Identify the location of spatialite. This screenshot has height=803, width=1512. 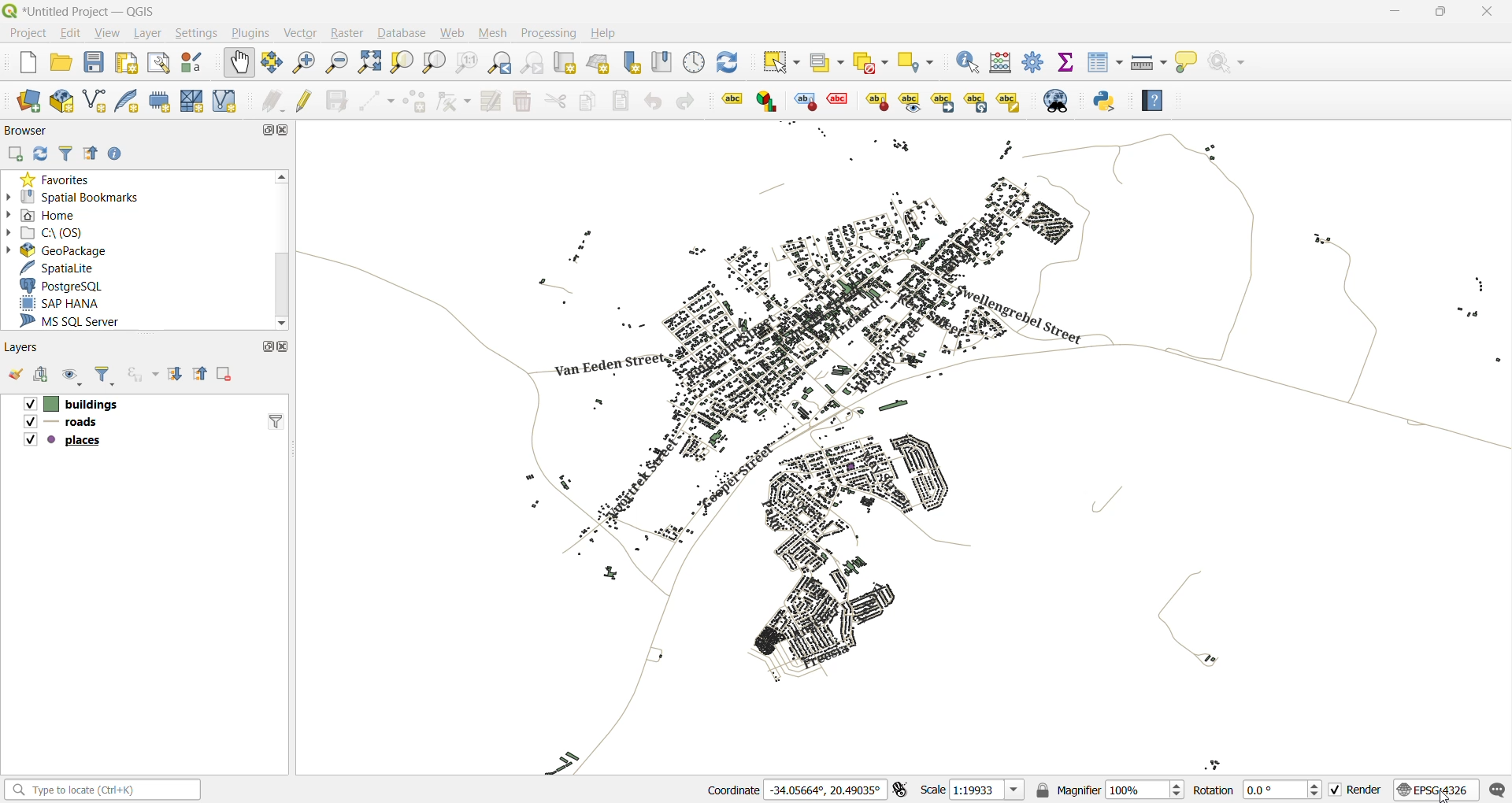
(63, 267).